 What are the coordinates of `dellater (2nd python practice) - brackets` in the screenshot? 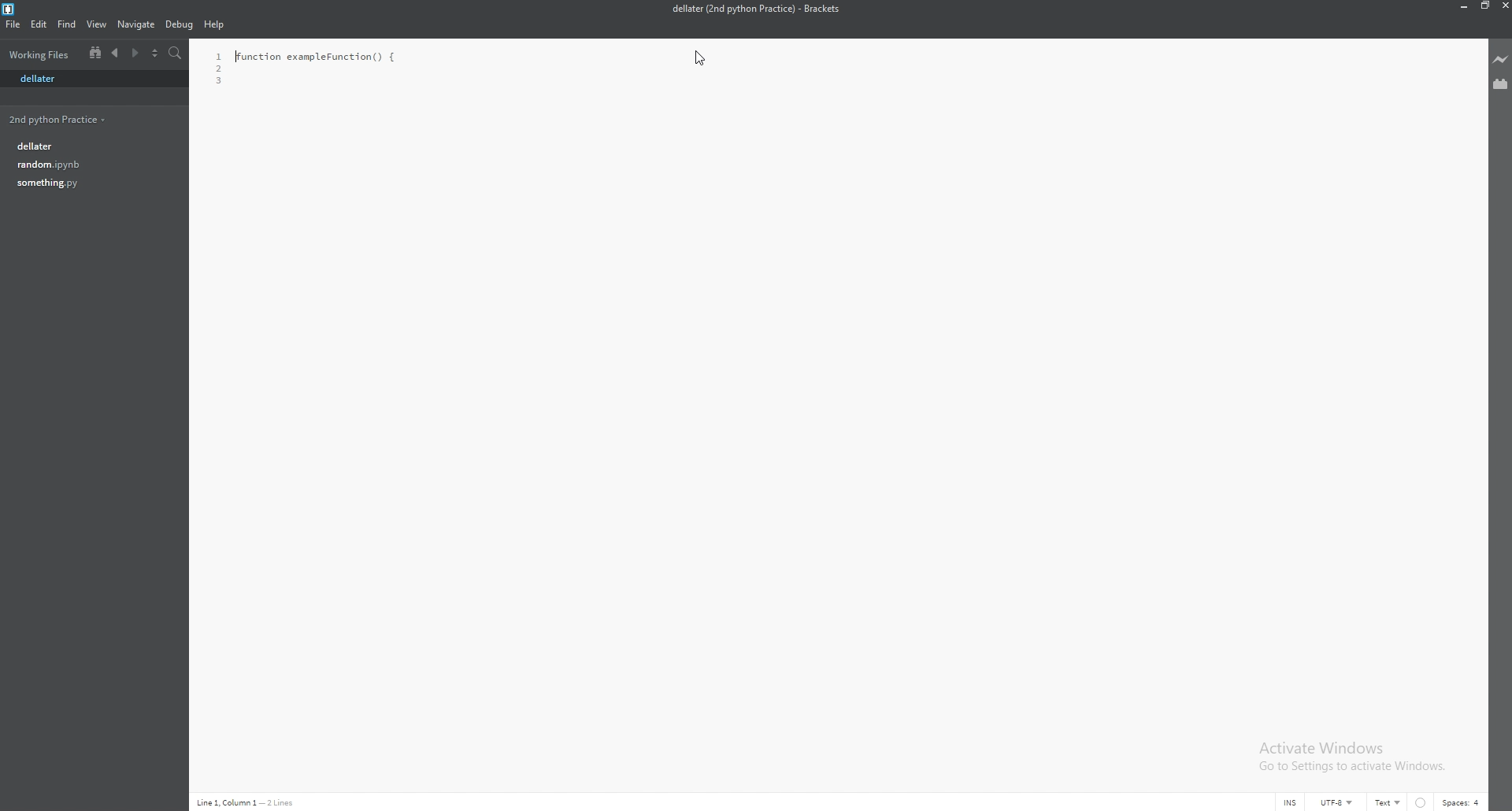 It's located at (757, 9).